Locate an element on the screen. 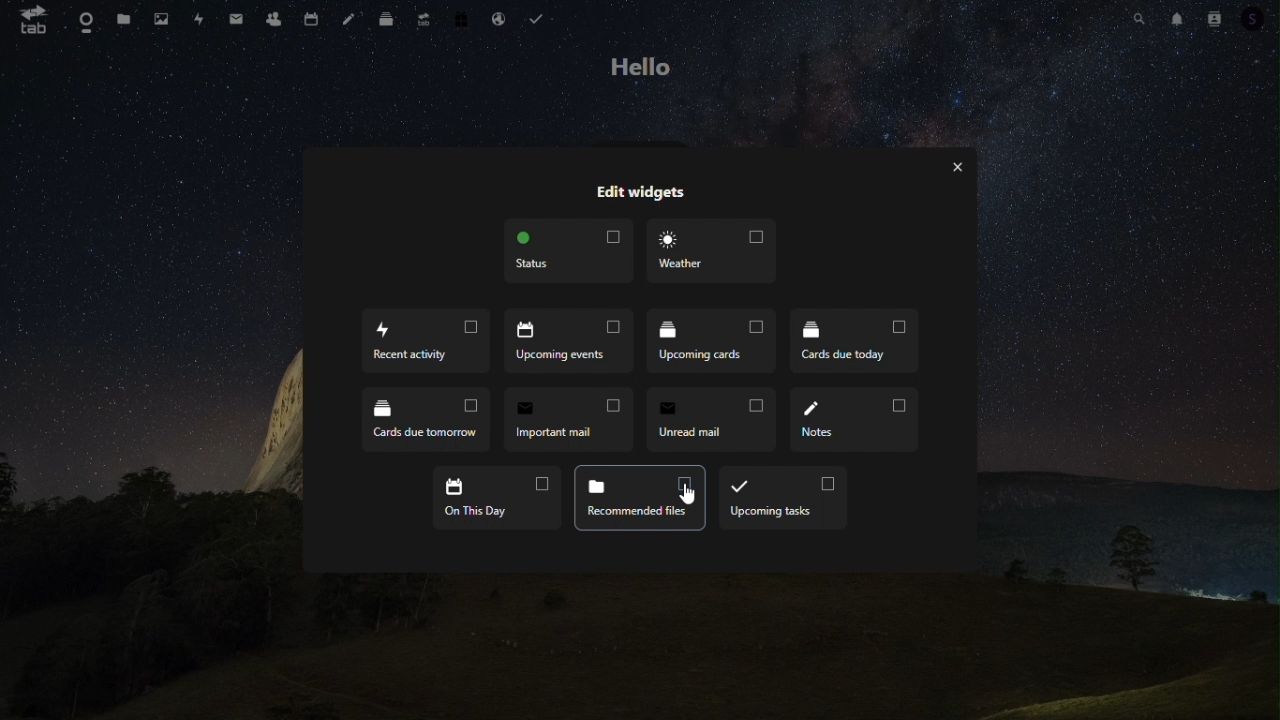  Recent activity is located at coordinates (427, 343).